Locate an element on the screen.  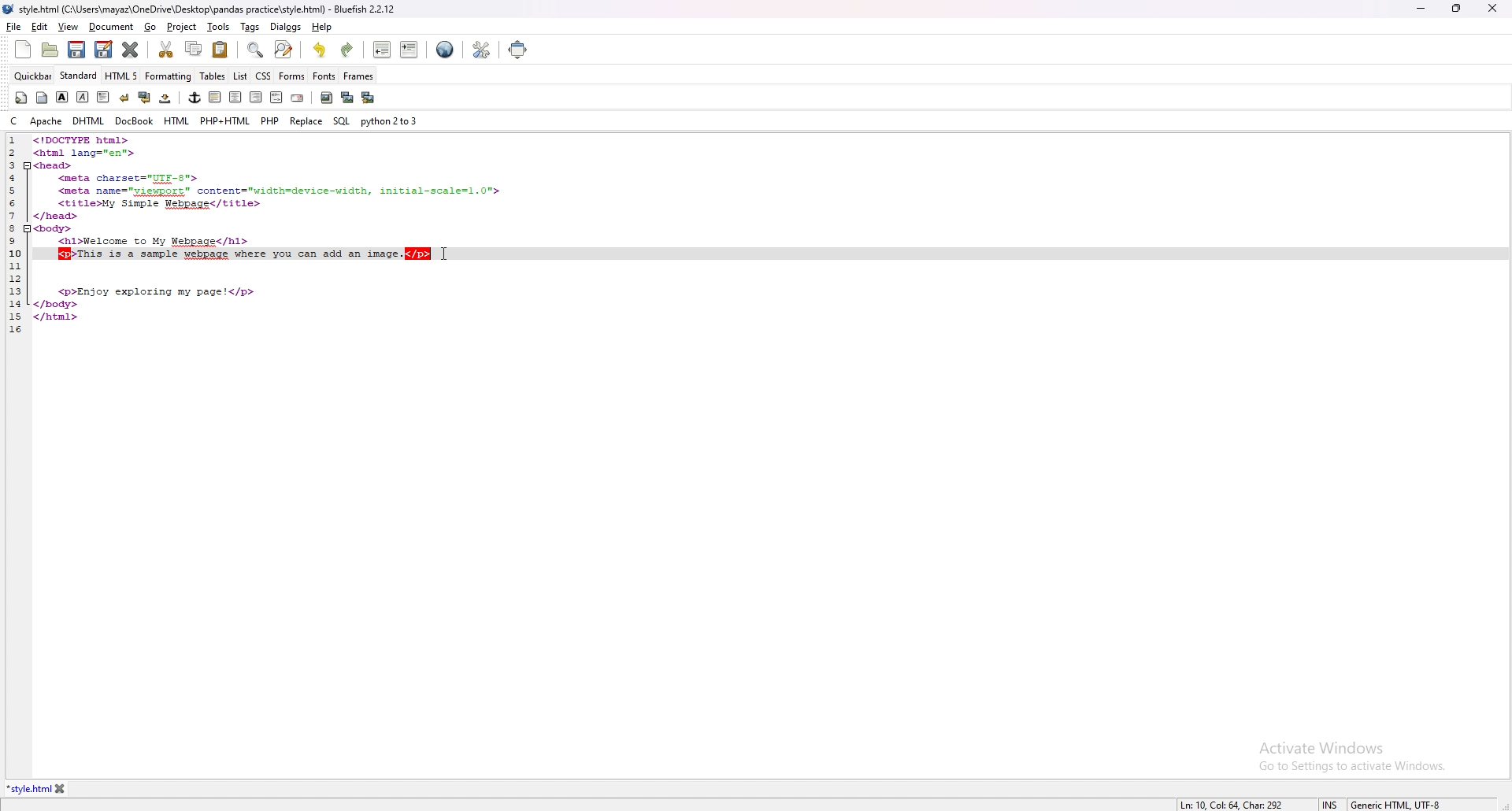
<!DOCTYPE html> is located at coordinates (84, 140).